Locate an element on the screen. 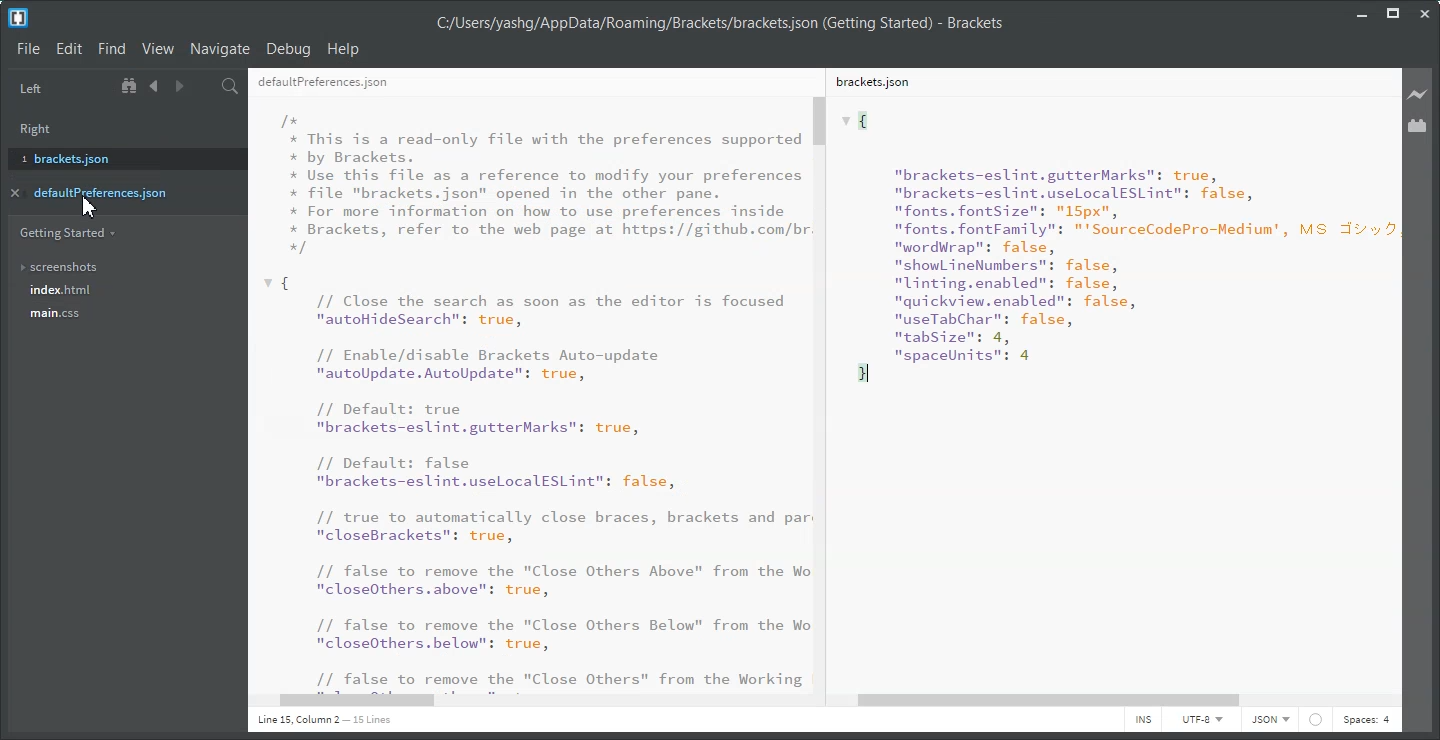 The image size is (1440, 740). Debug is located at coordinates (288, 49).